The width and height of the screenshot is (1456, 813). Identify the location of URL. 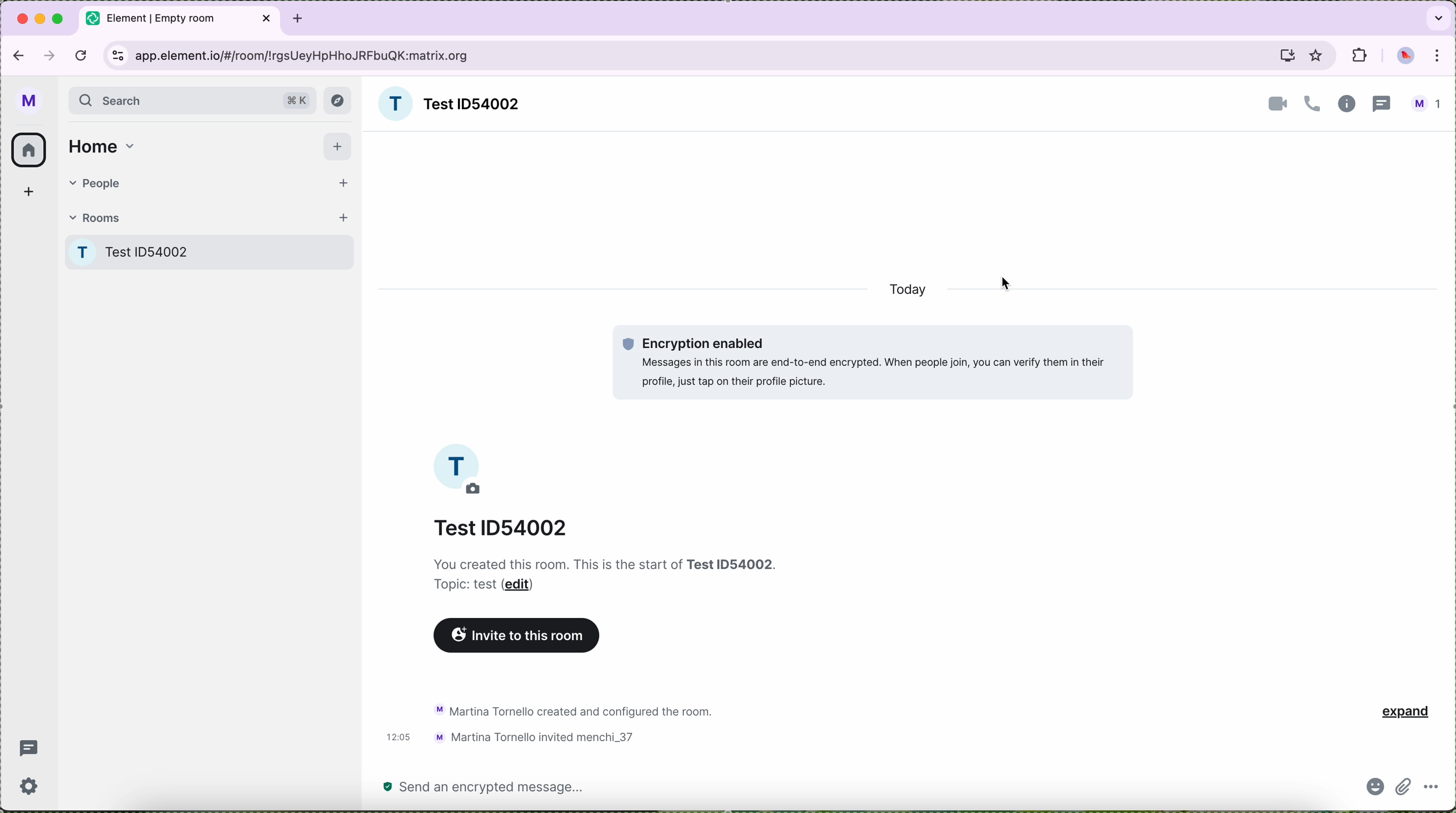
(304, 55).